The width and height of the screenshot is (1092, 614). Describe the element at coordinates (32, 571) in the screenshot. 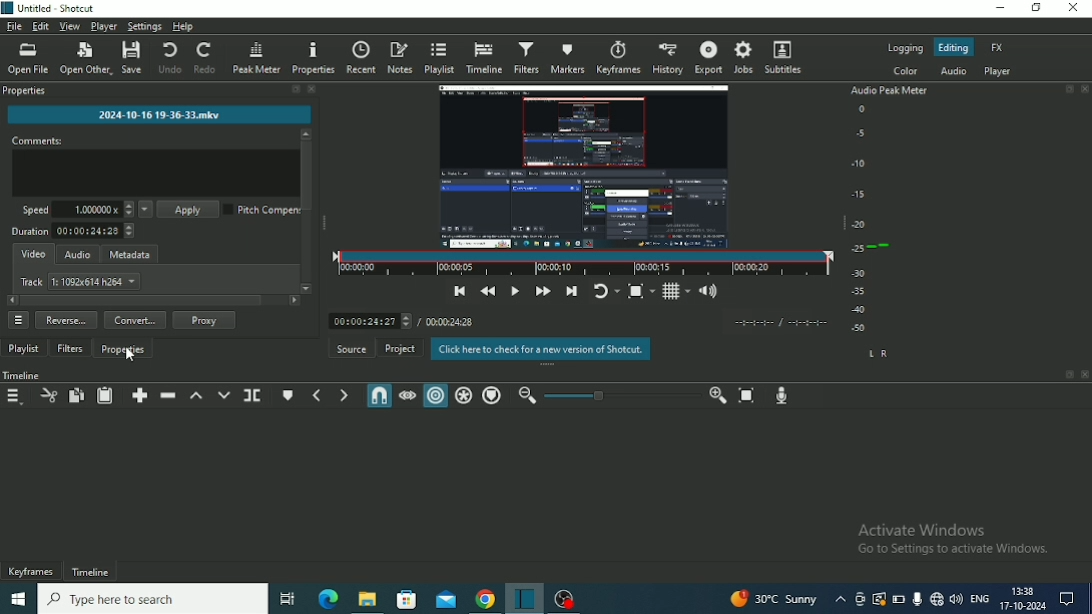

I see `Keyframes` at that location.